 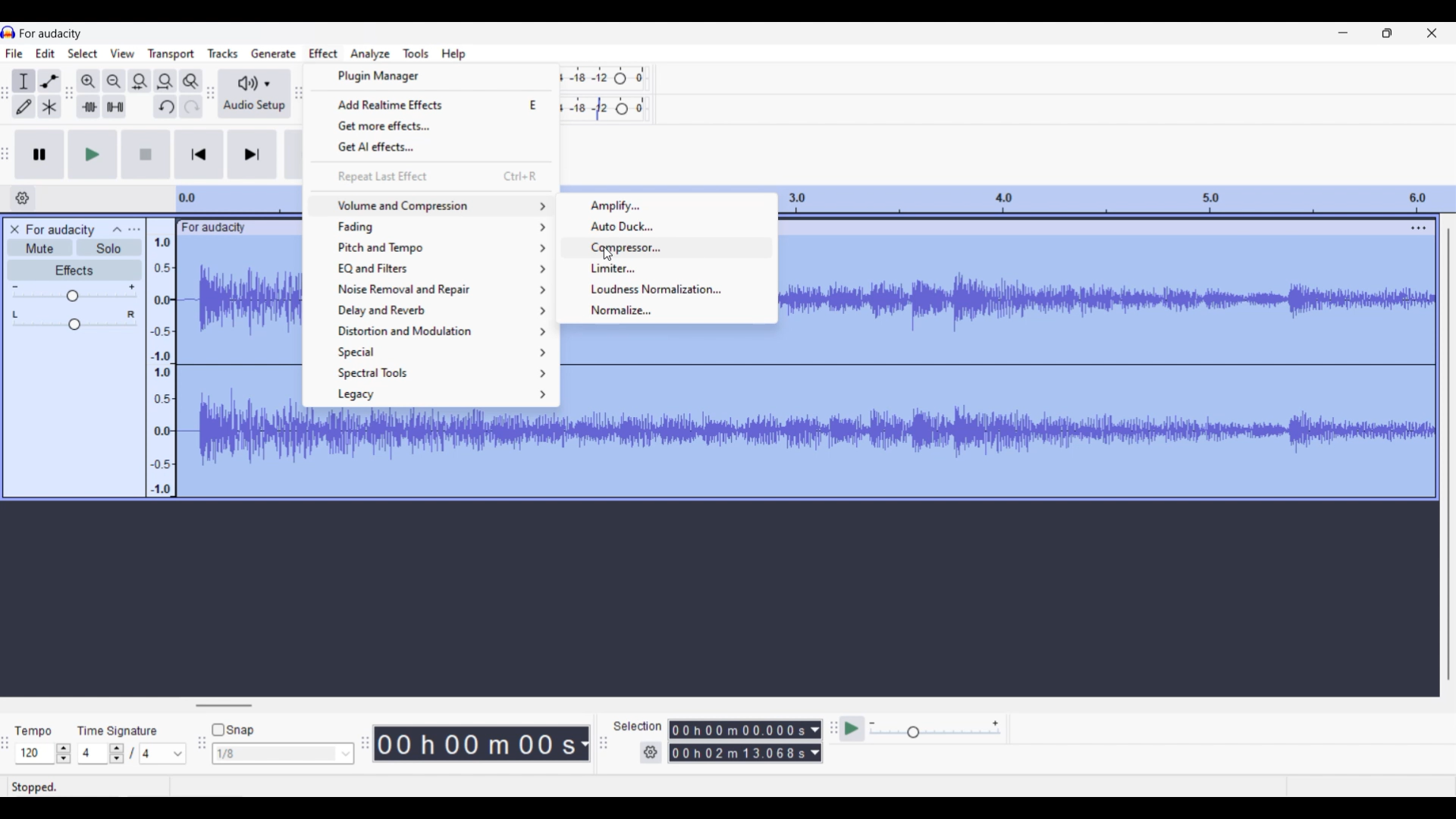 I want to click on Draw tool, so click(x=24, y=107).